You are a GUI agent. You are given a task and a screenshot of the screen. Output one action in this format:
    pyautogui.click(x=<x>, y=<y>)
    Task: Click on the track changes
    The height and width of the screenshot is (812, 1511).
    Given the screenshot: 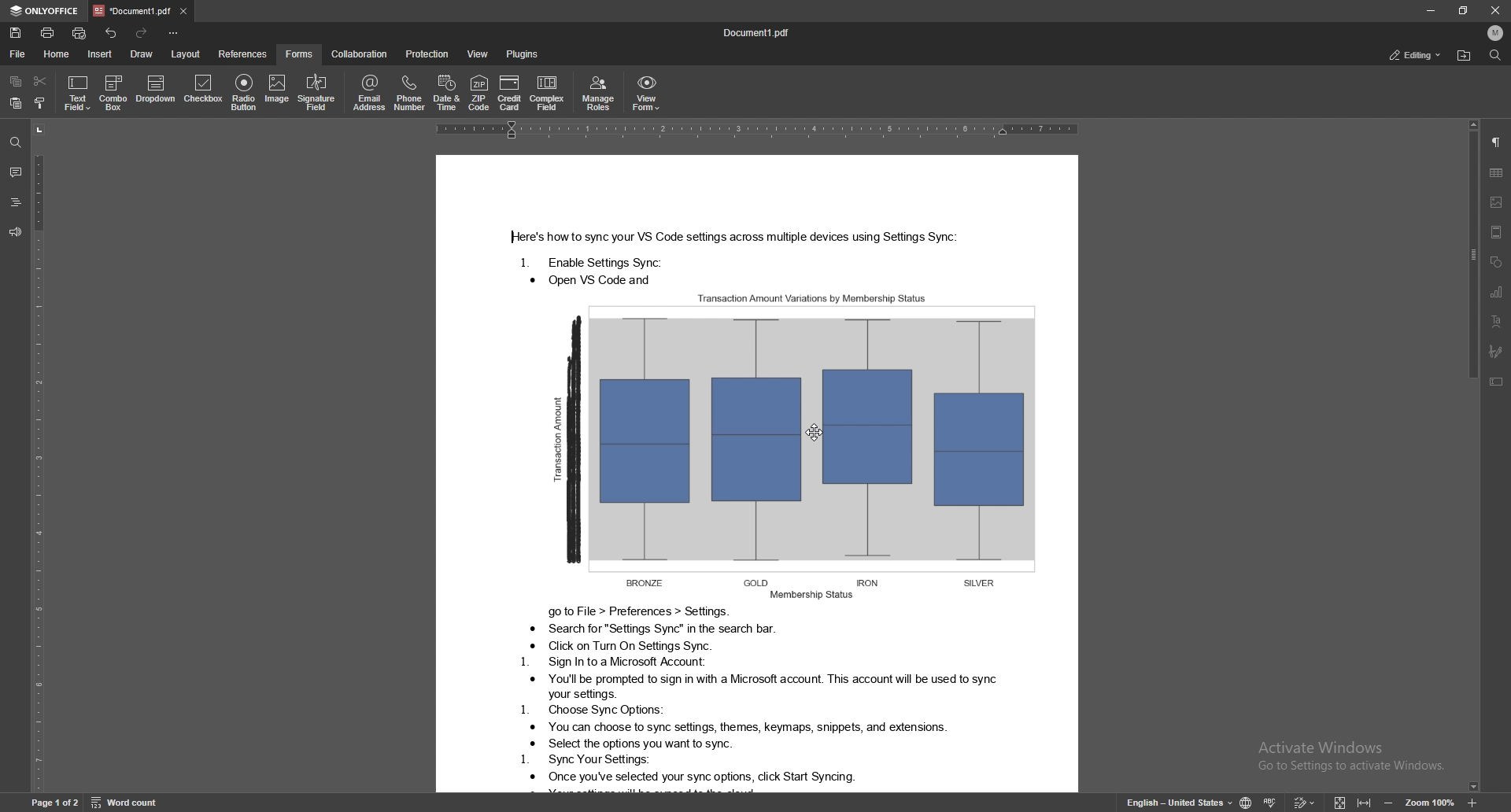 What is the action you would take?
    pyautogui.click(x=1303, y=803)
    